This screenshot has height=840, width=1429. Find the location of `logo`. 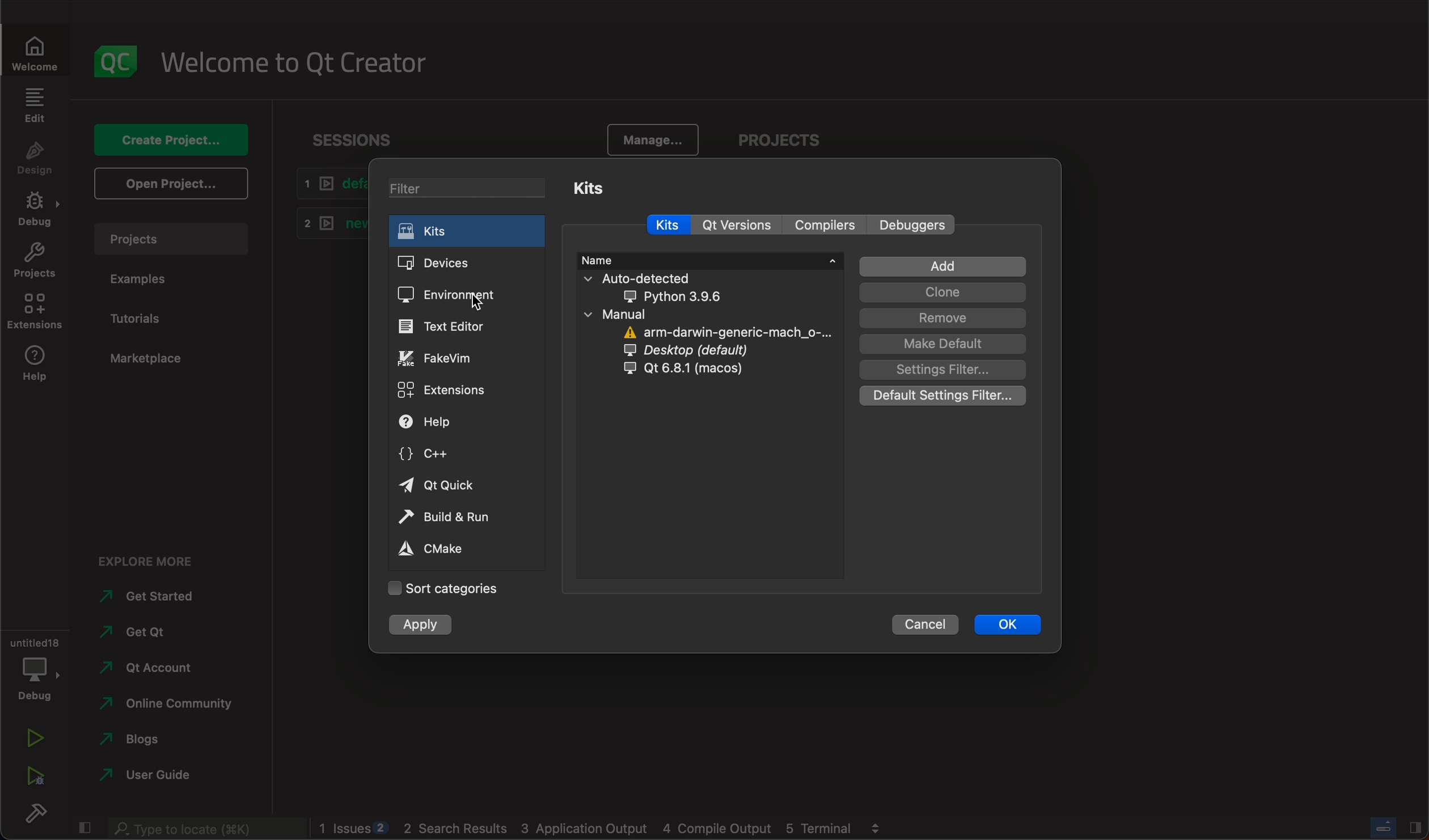

logo is located at coordinates (111, 59).